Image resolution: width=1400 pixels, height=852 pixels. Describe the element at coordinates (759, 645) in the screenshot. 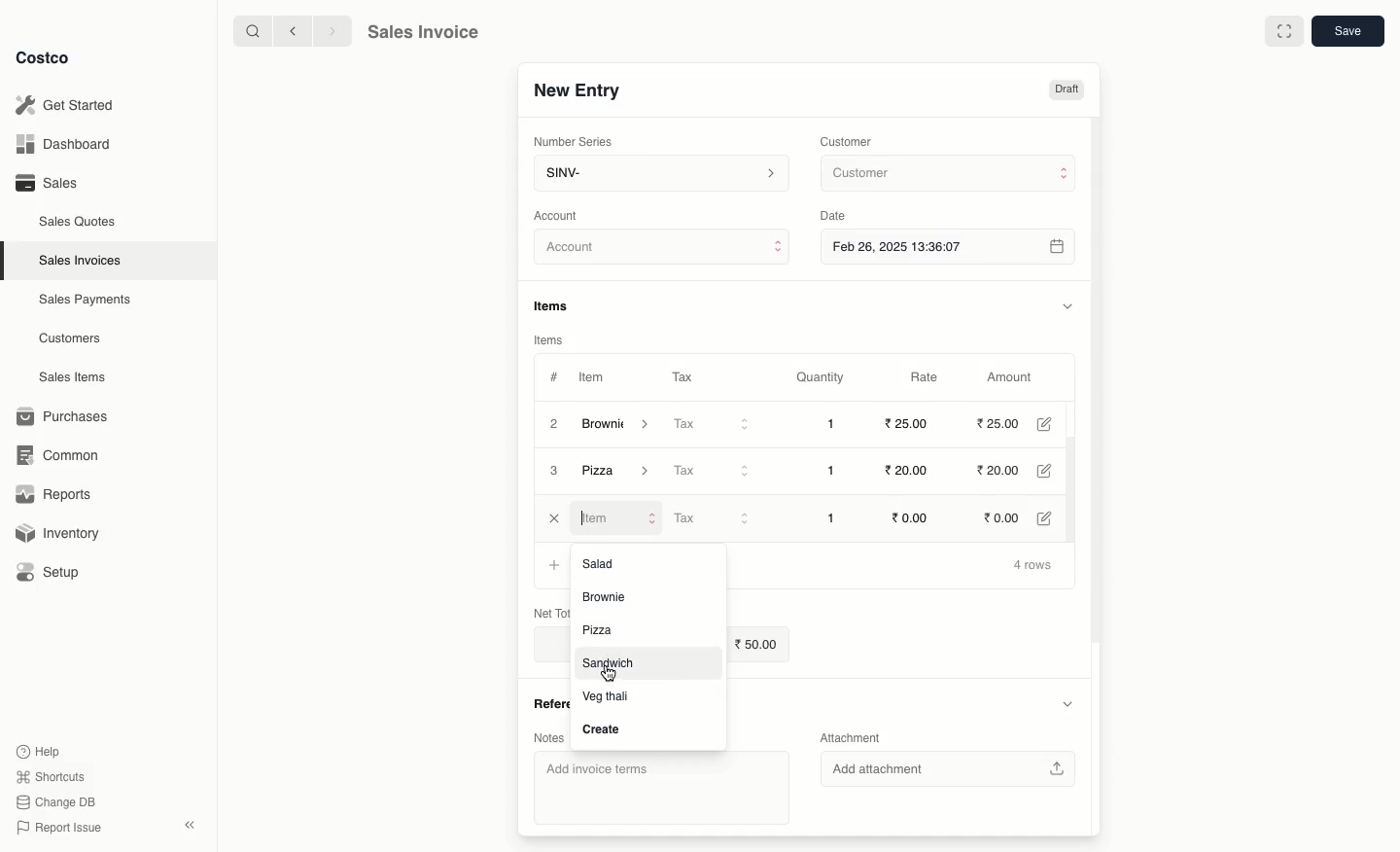

I see `50.00` at that location.